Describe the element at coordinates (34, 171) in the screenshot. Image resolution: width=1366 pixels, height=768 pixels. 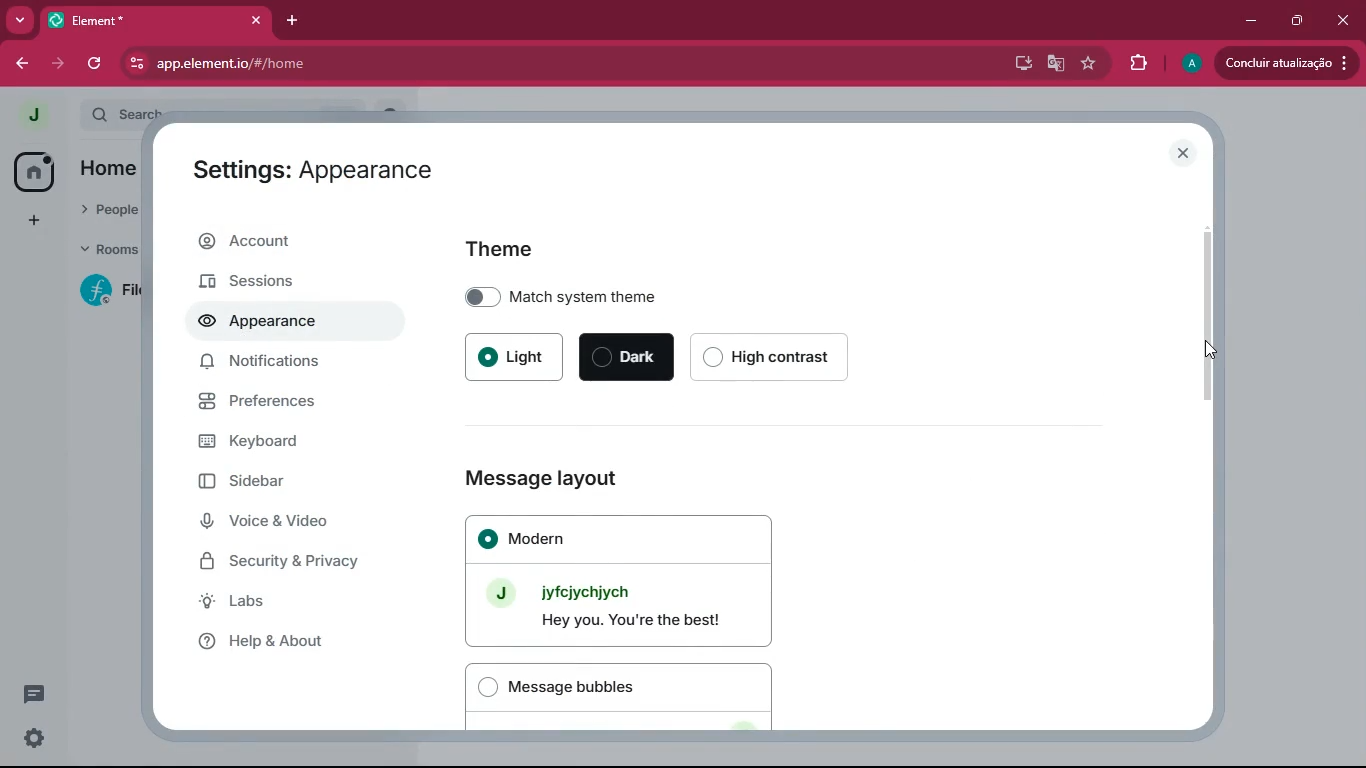
I see `home` at that location.